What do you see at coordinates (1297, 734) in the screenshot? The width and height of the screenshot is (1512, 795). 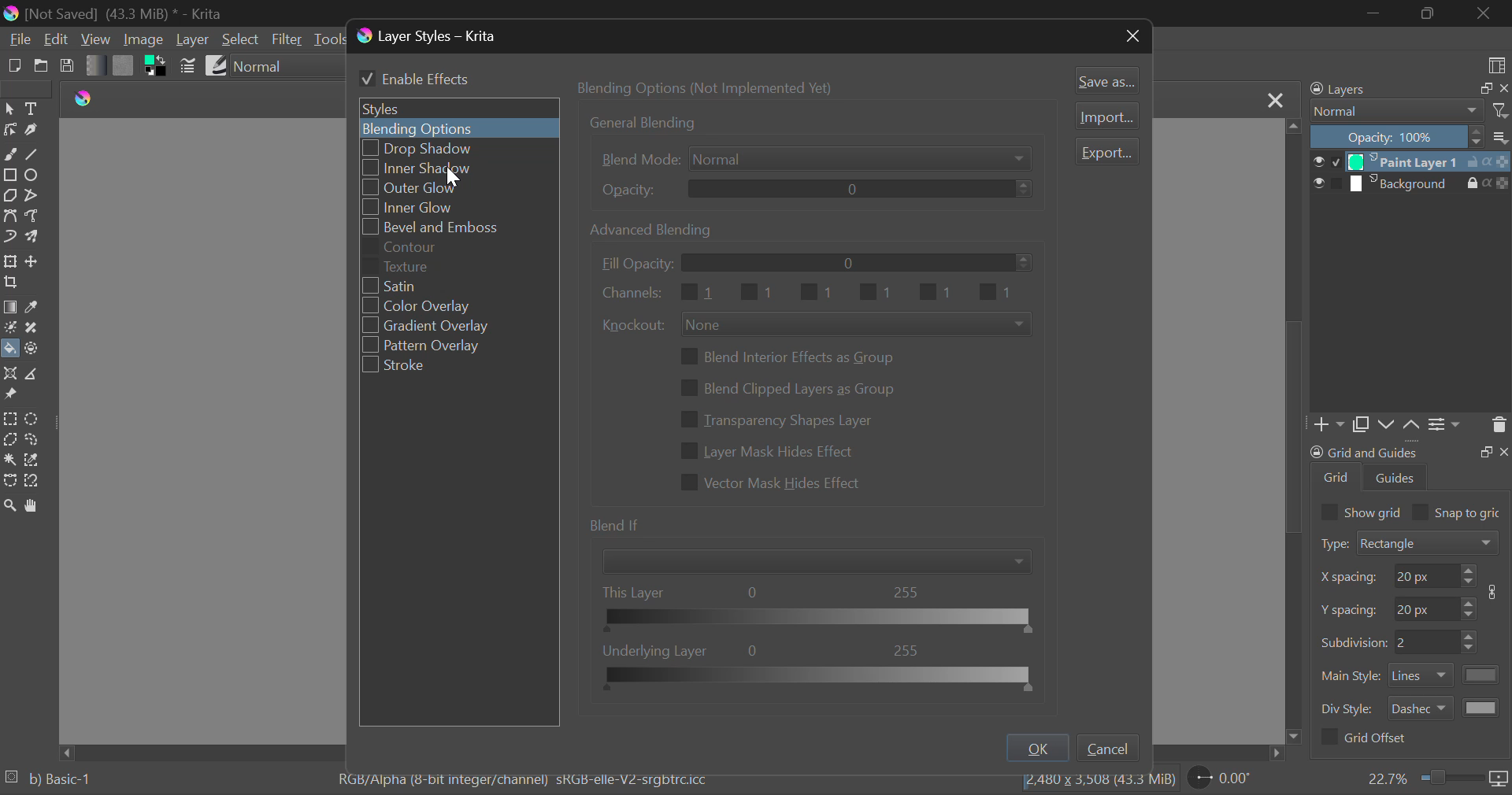 I see `move down` at bounding box center [1297, 734].